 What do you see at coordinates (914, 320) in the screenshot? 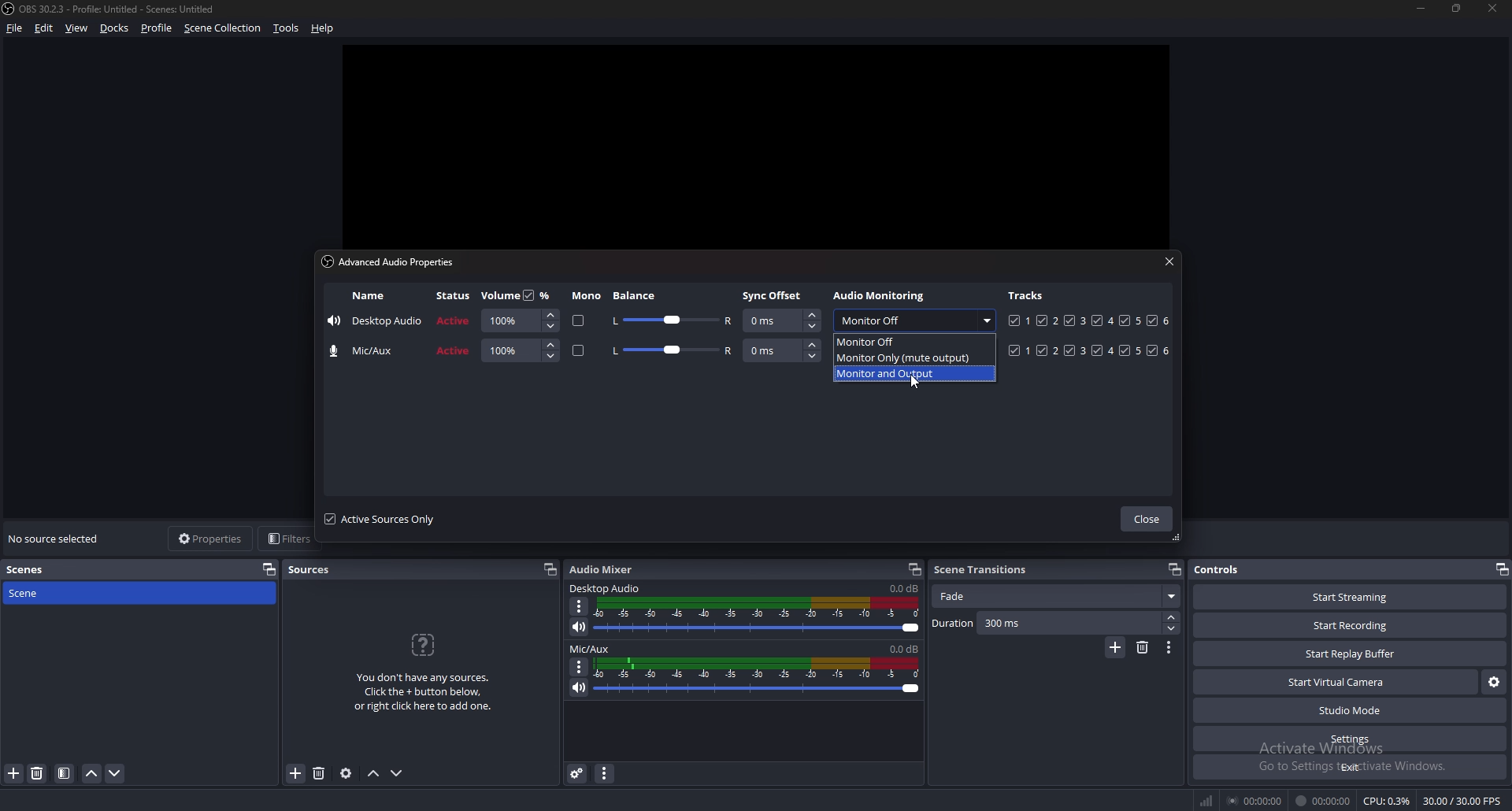
I see `monitor off` at bounding box center [914, 320].